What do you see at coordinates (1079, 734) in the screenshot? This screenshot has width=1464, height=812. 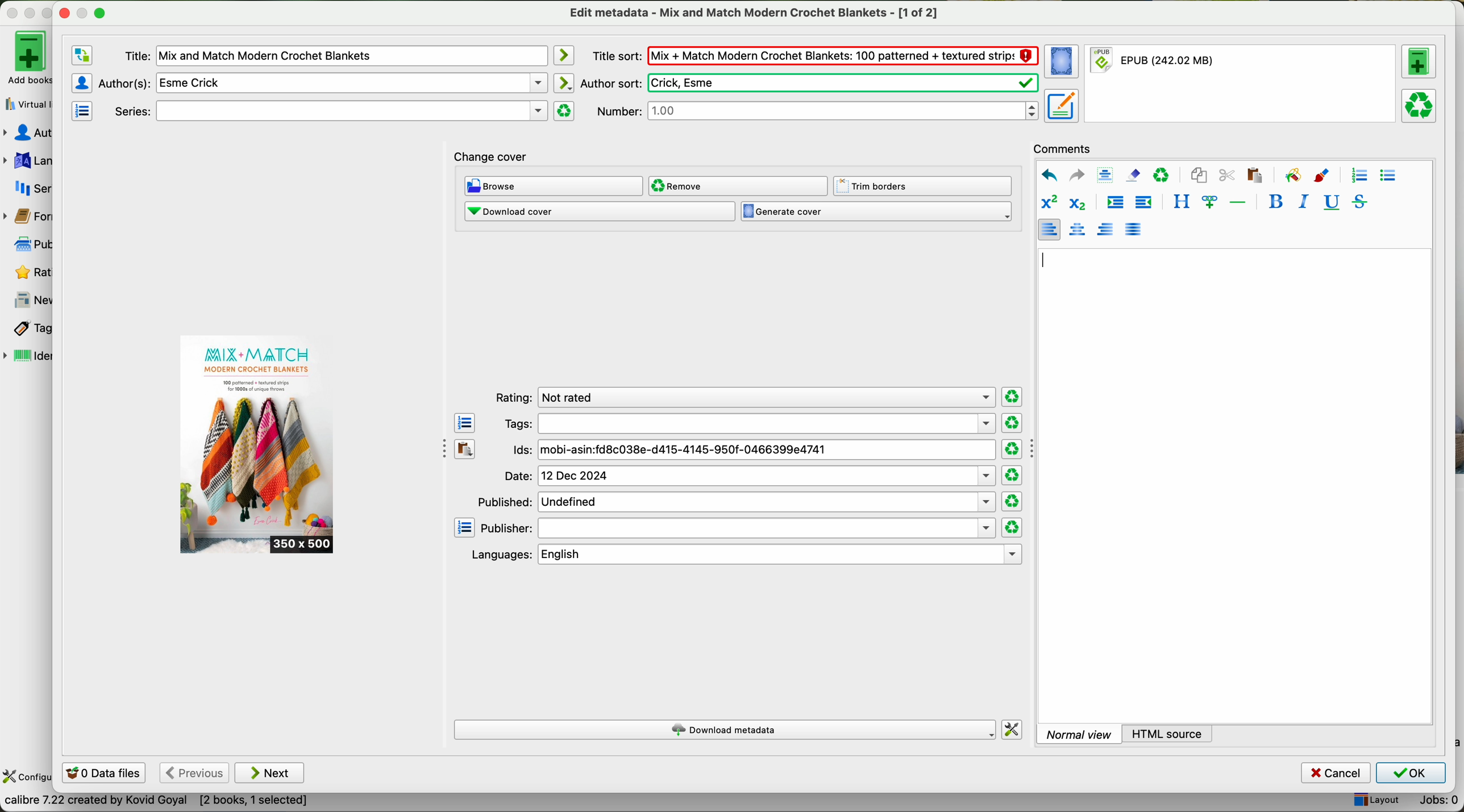 I see `normal view` at bounding box center [1079, 734].